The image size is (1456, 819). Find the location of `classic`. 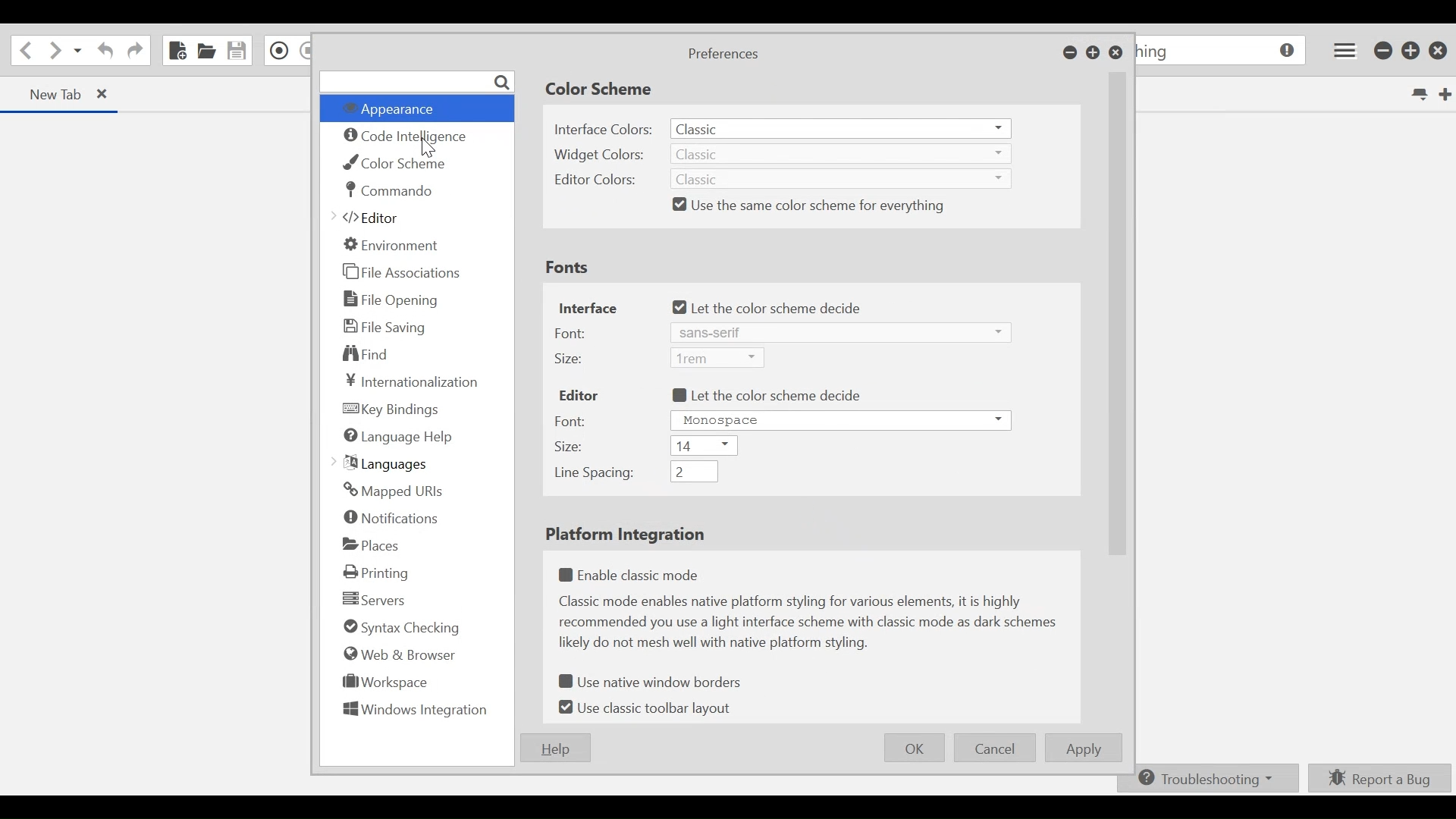

classic is located at coordinates (843, 154).